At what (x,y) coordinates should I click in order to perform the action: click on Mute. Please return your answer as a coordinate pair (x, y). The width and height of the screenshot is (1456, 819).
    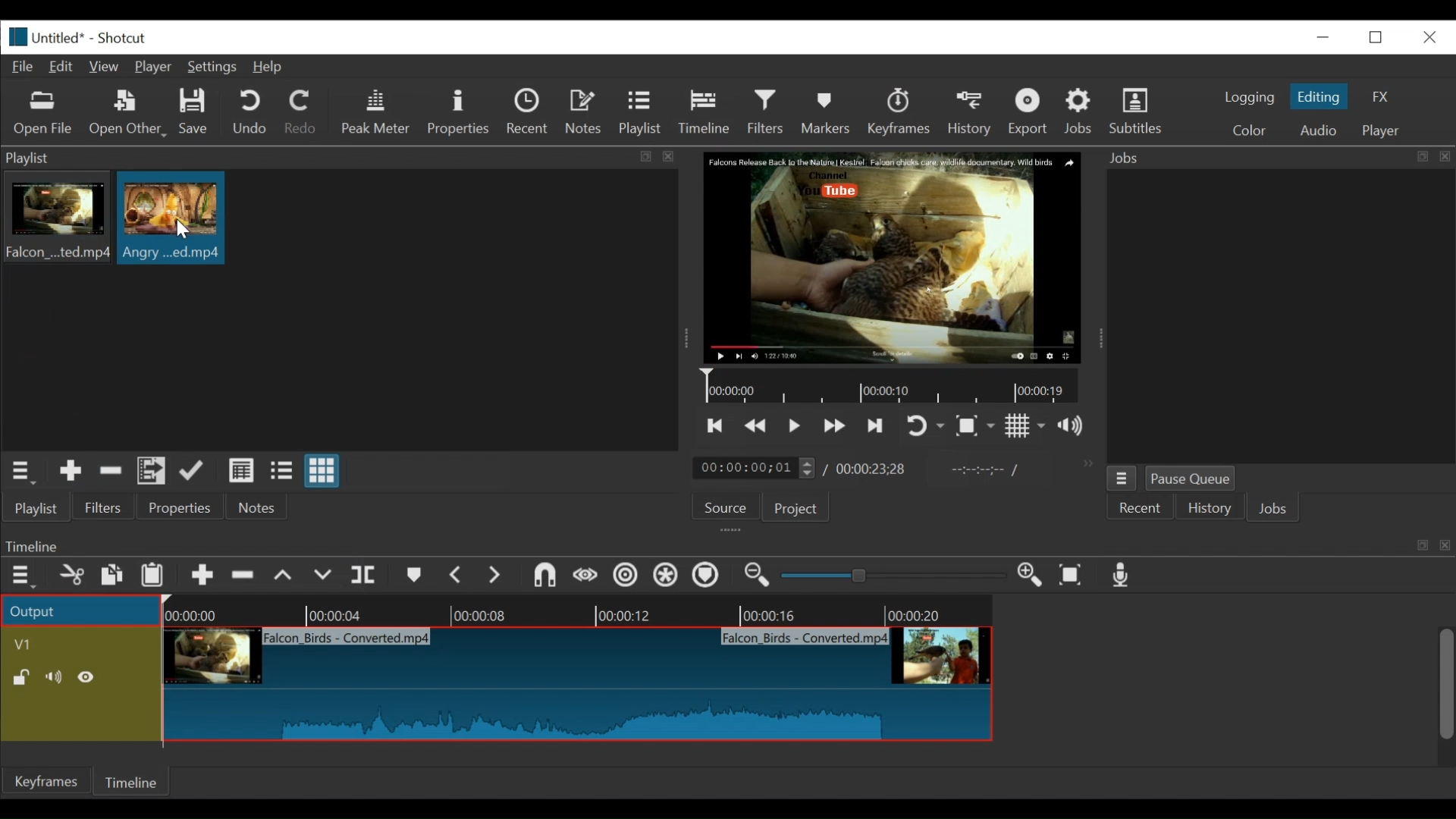
    Looking at the image, I should click on (57, 677).